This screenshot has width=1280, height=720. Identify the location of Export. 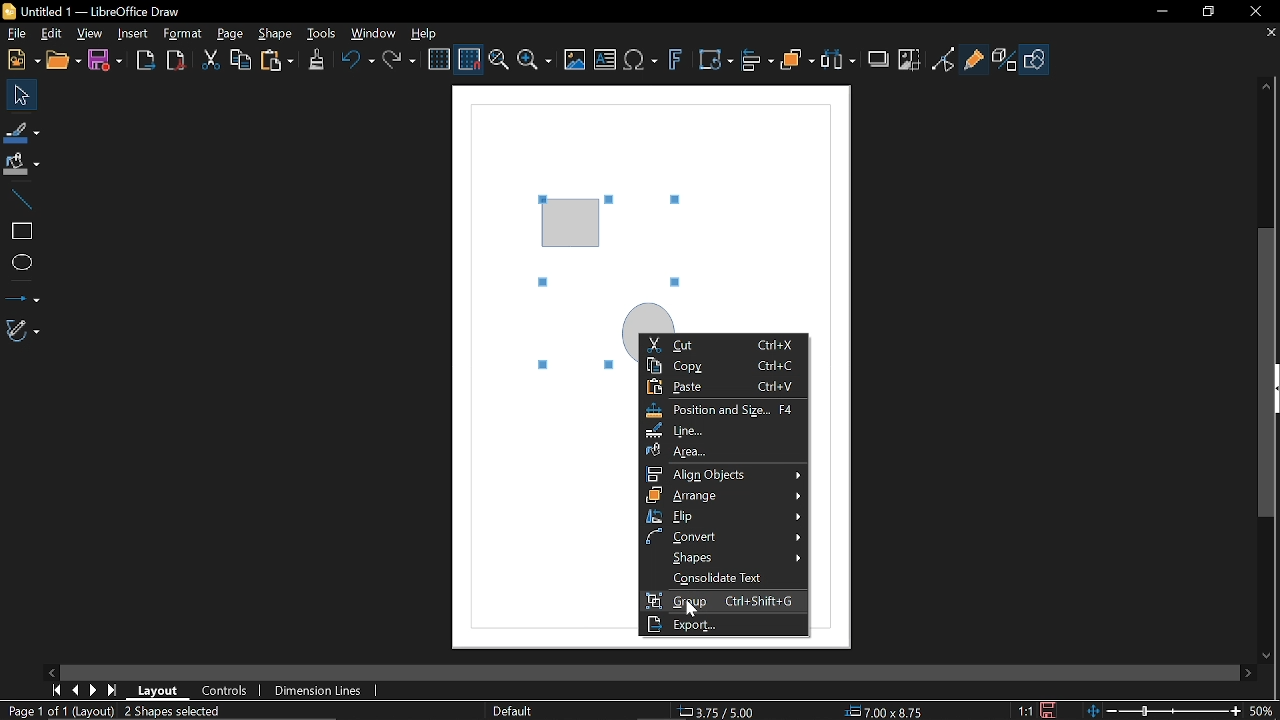
(145, 63).